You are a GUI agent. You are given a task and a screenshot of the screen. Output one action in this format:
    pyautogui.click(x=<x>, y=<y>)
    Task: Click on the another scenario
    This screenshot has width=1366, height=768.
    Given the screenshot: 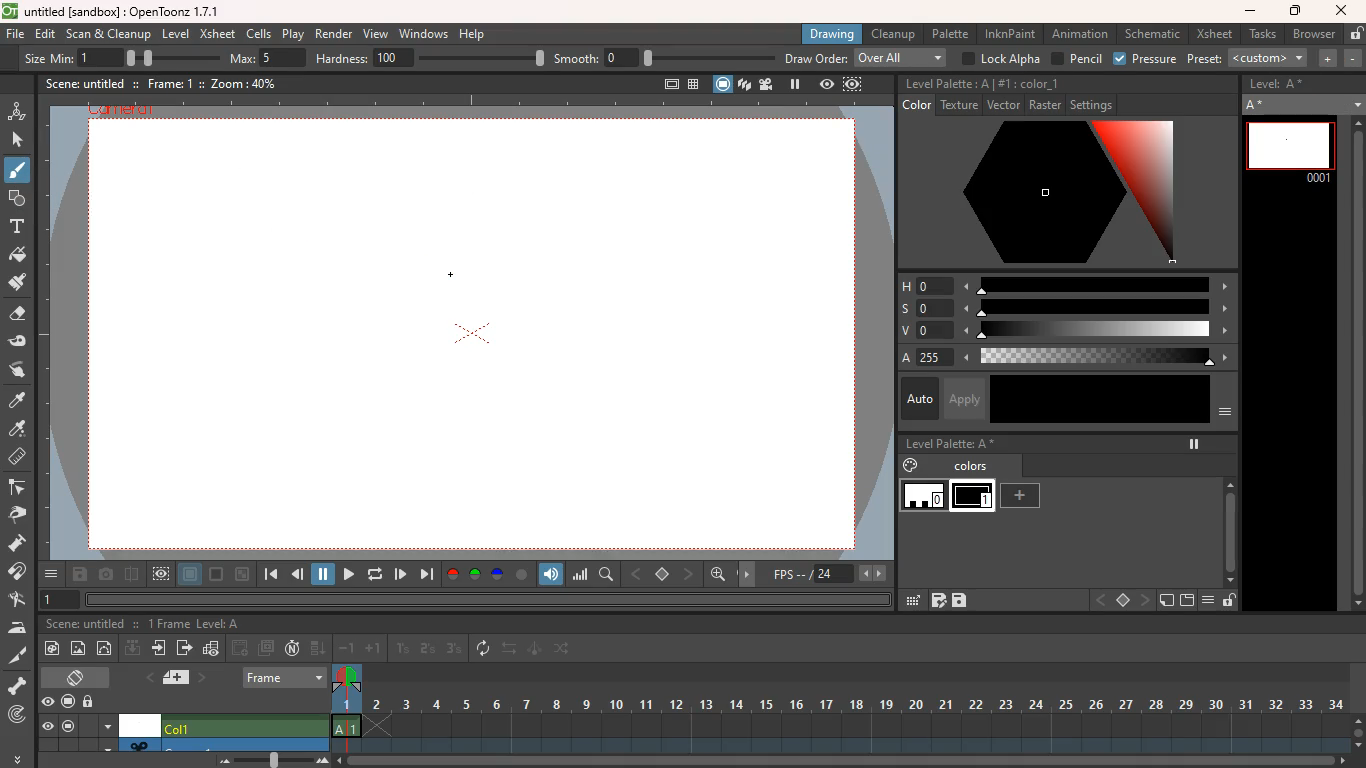 What is the action you would take?
    pyautogui.click(x=225, y=744)
    